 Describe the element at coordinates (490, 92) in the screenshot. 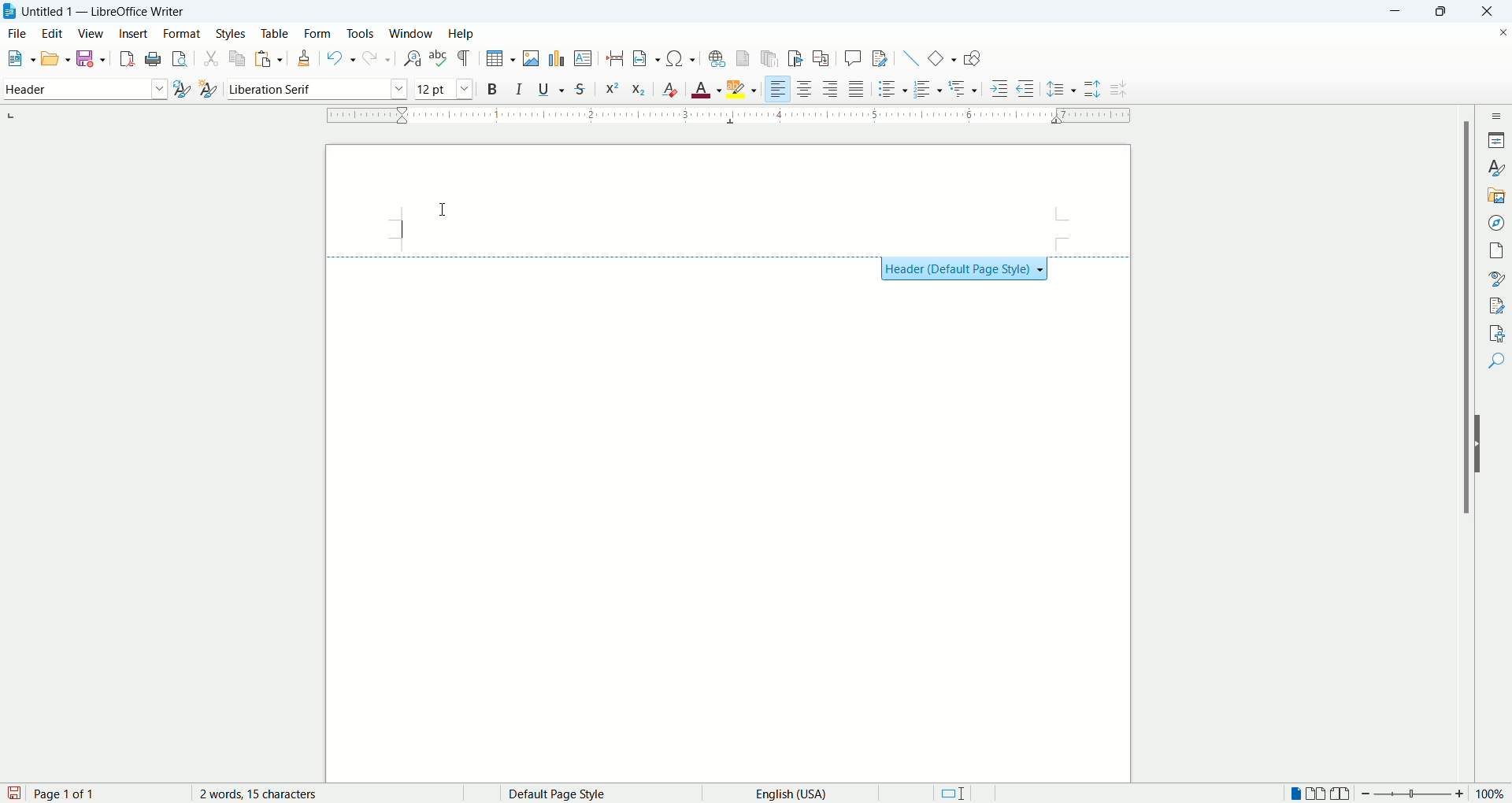

I see `bold` at that location.